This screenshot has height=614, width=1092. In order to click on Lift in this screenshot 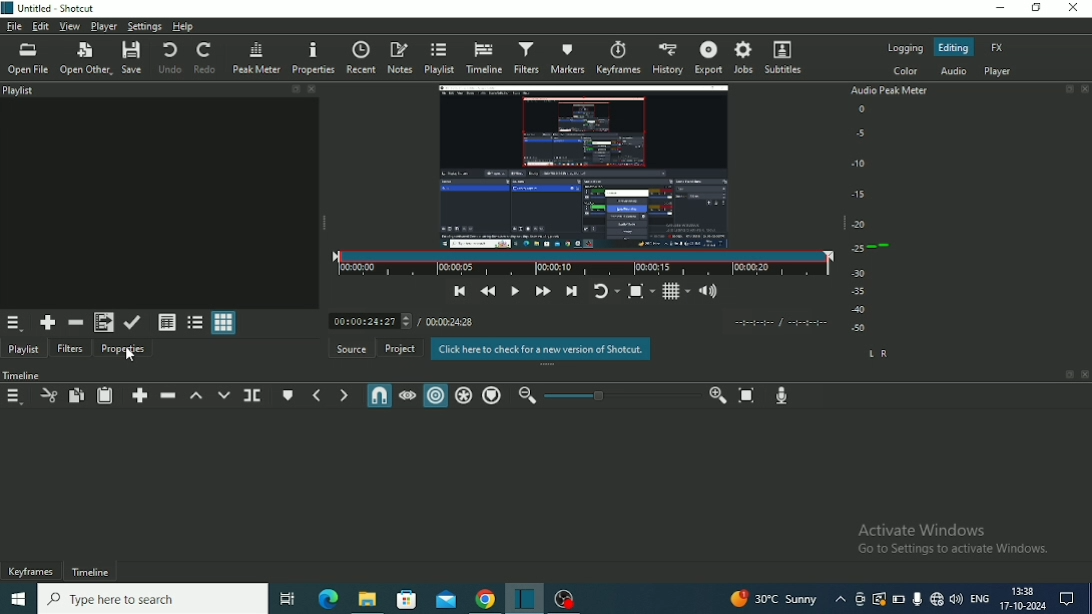, I will do `click(196, 395)`.